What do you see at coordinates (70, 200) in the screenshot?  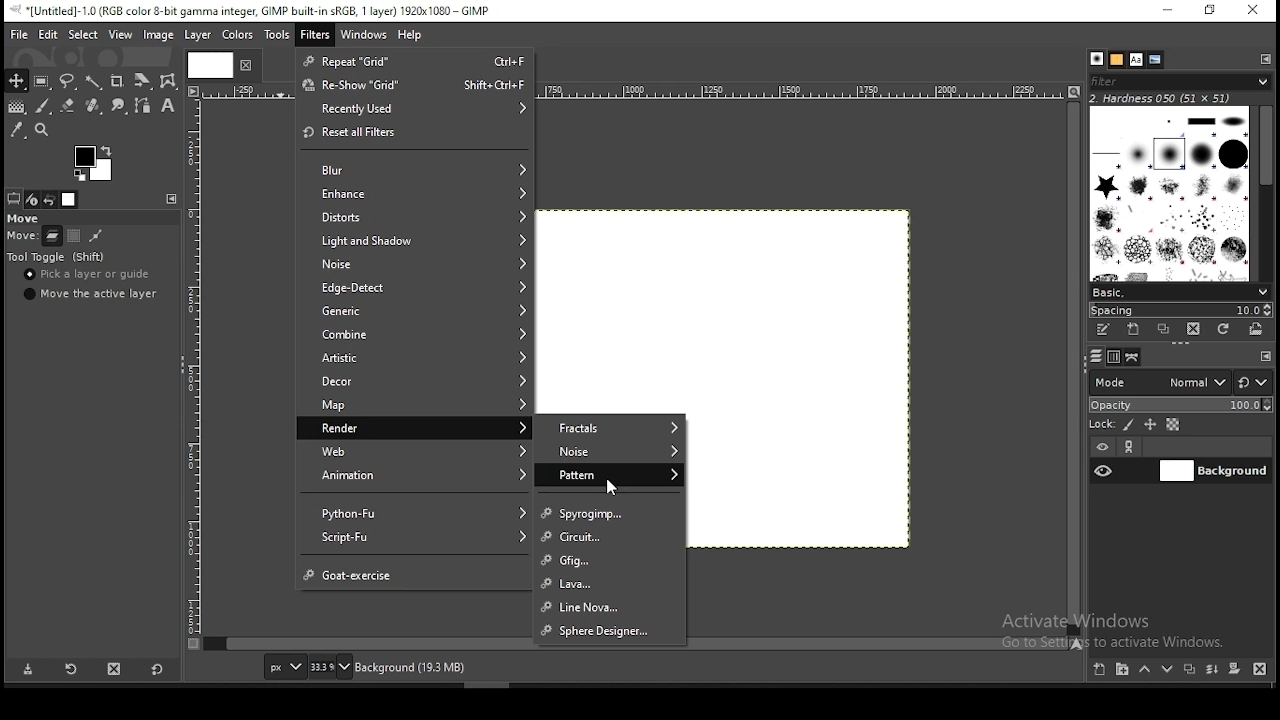 I see `images` at bounding box center [70, 200].